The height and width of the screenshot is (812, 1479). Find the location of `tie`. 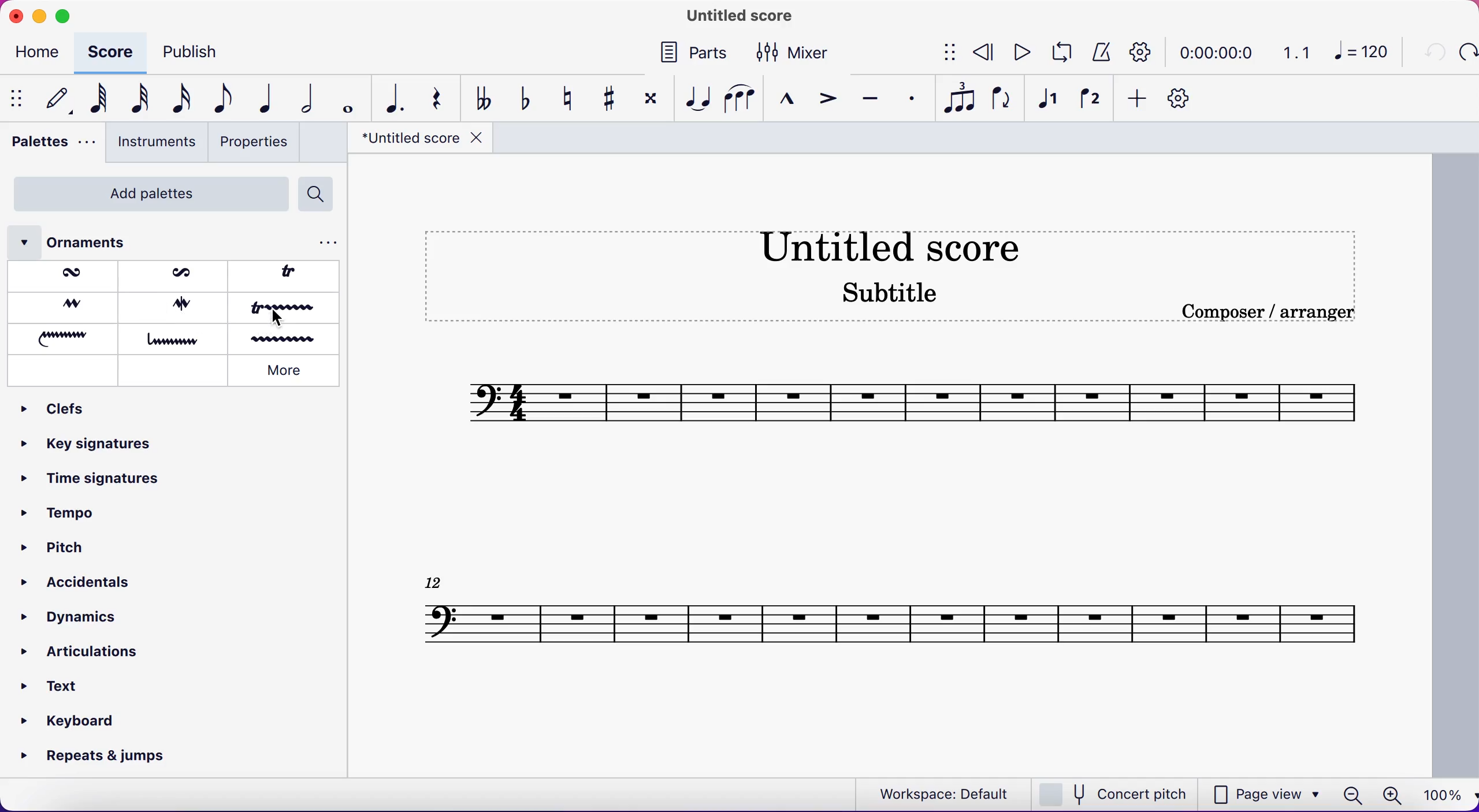

tie is located at coordinates (697, 98).